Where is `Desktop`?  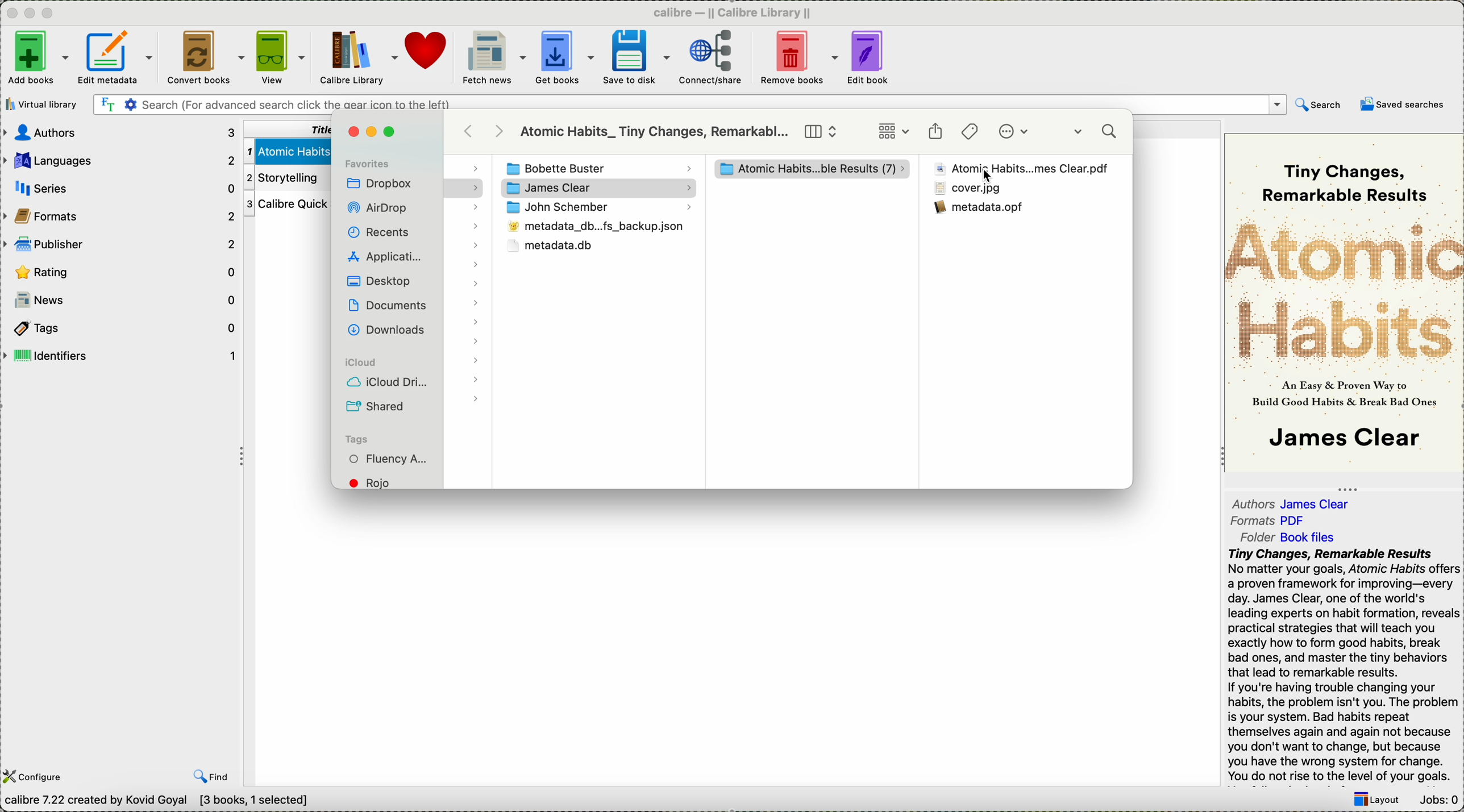 Desktop is located at coordinates (378, 281).